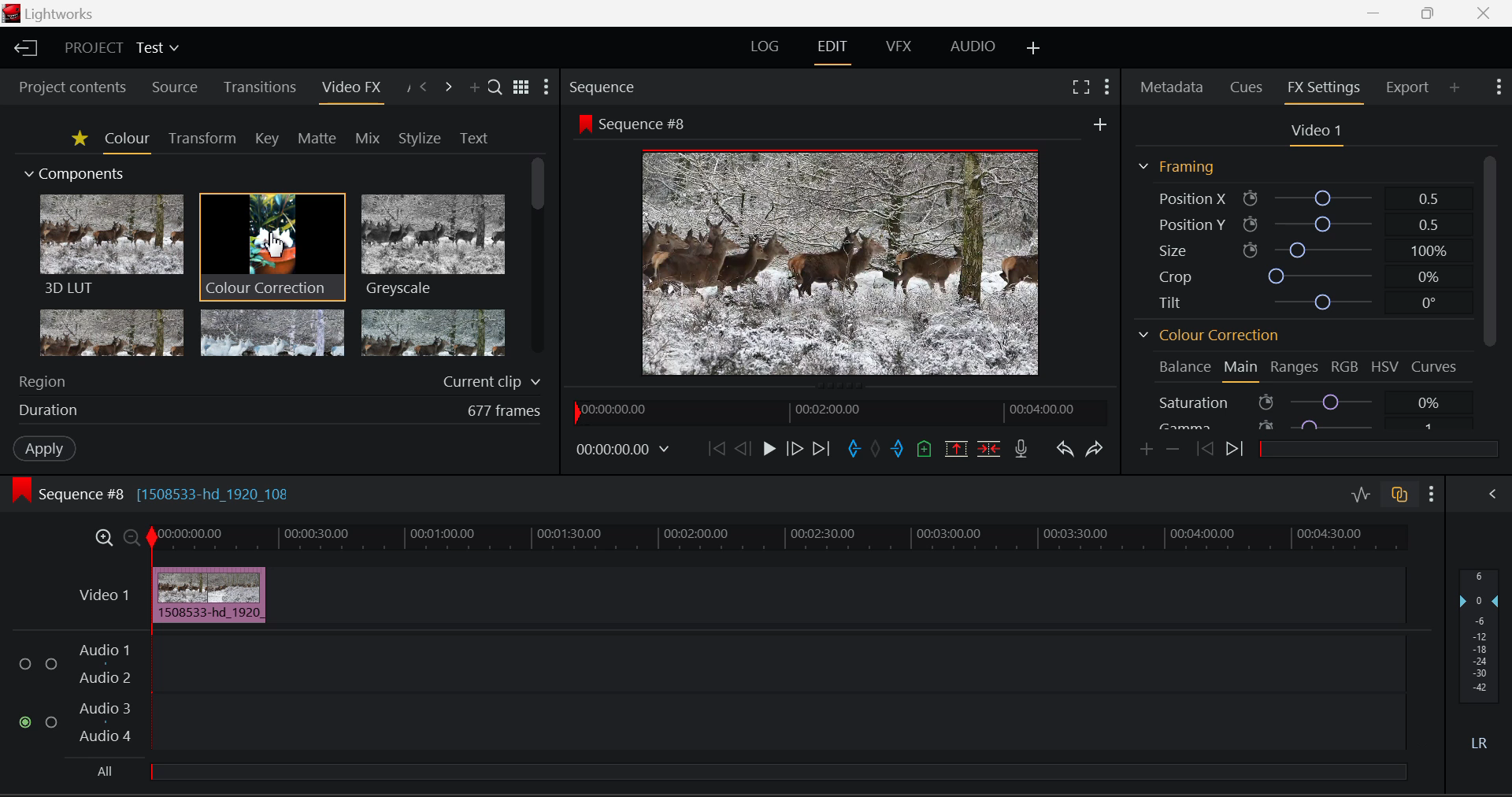 The width and height of the screenshot is (1512, 797). What do you see at coordinates (794, 451) in the screenshot?
I see `Go Forward` at bounding box center [794, 451].